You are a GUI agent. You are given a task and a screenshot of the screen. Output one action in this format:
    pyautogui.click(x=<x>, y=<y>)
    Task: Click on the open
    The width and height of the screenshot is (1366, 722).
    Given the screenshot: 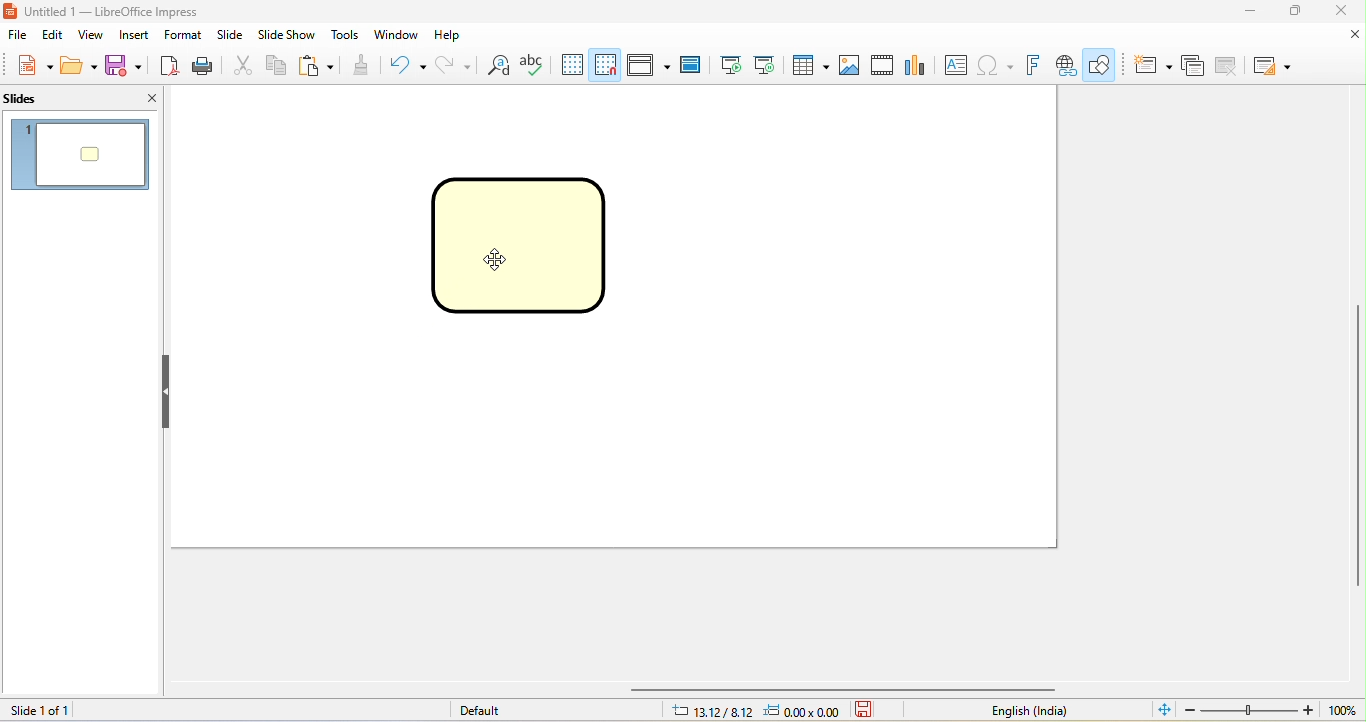 What is the action you would take?
    pyautogui.click(x=77, y=64)
    